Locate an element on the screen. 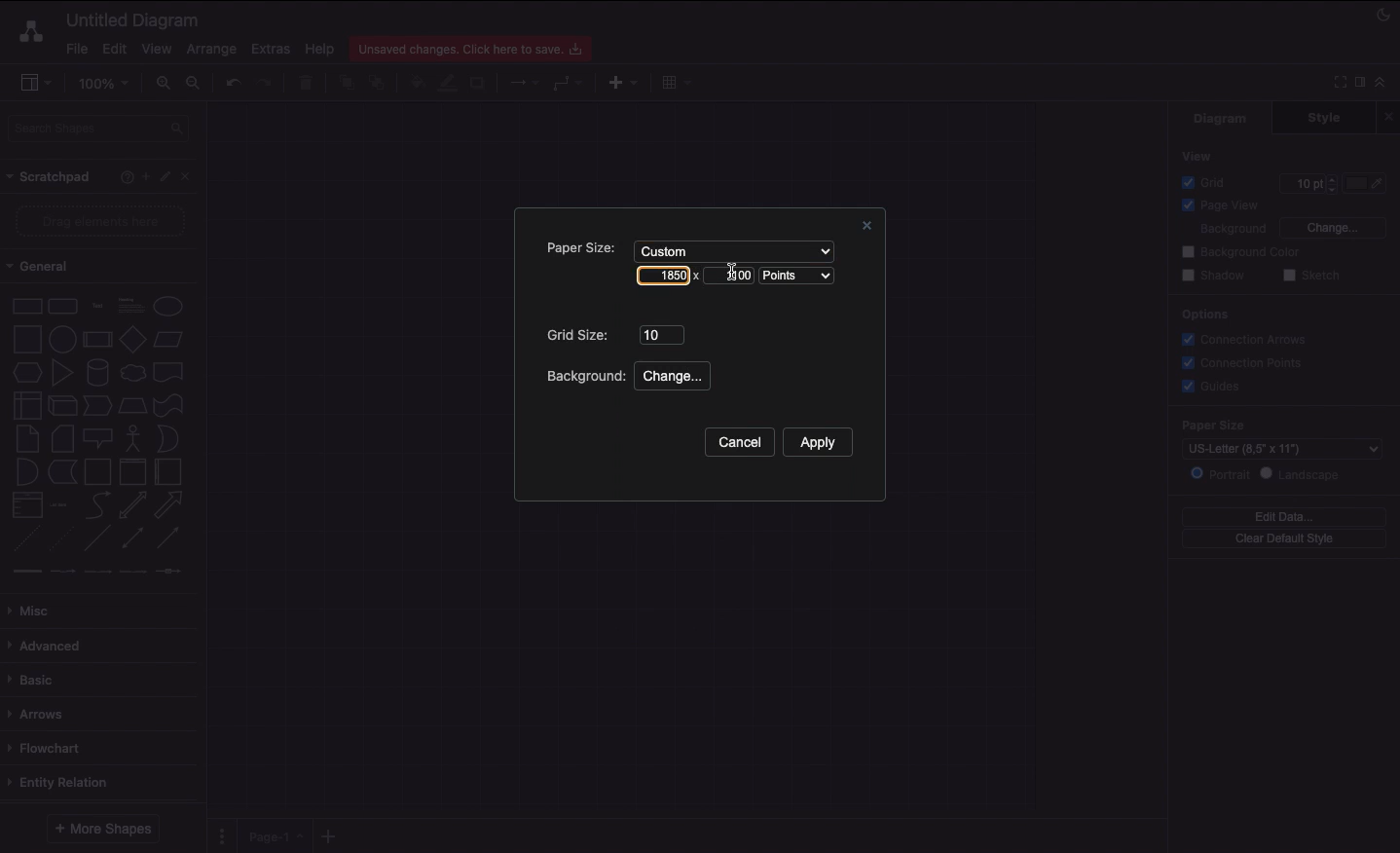 The width and height of the screenshot is (1400, 853). Waypoints is located at coordinates (569, 85).